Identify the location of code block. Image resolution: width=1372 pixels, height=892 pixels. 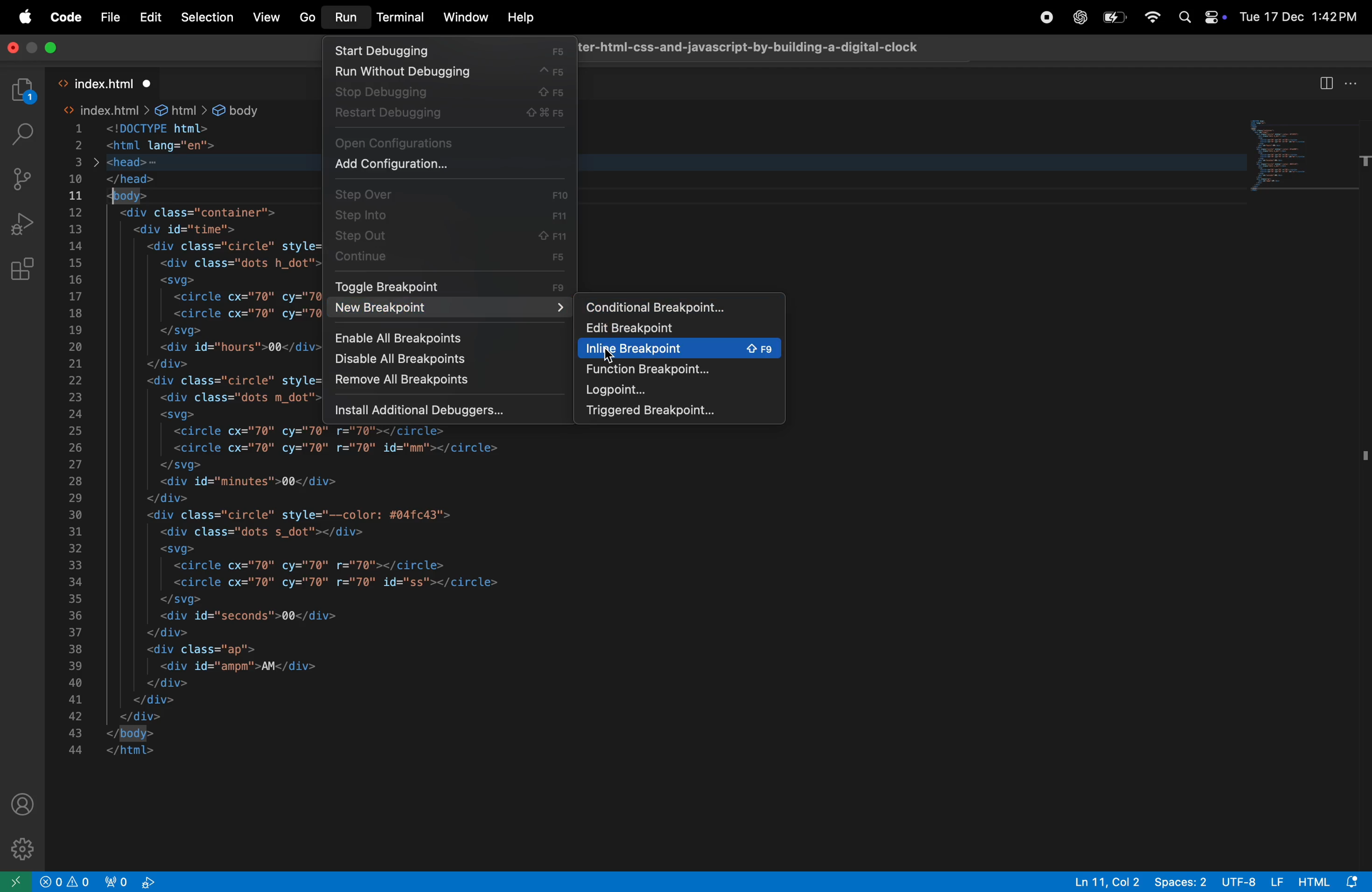
(1303, 152).